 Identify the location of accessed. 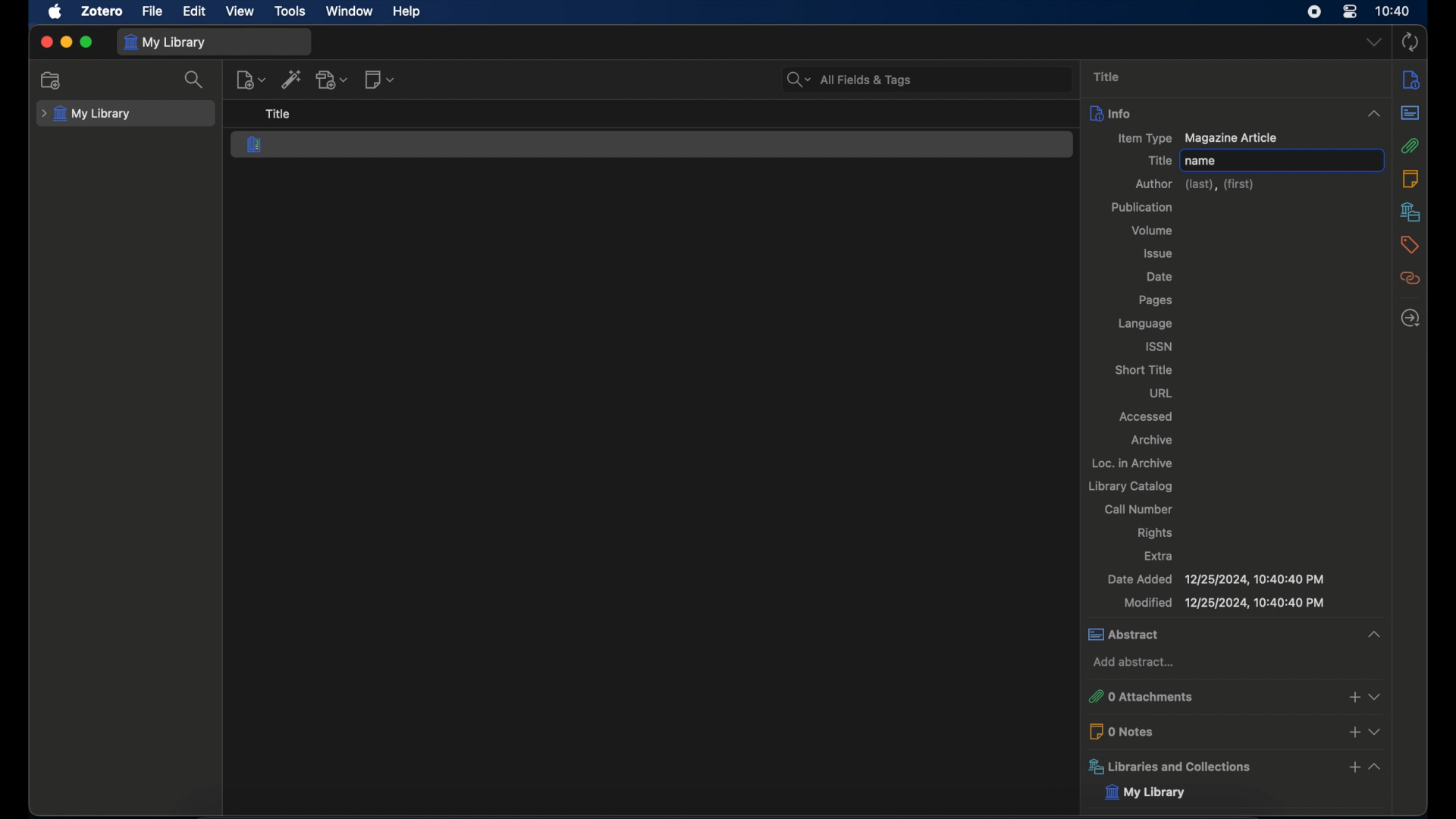
(1147, 416).